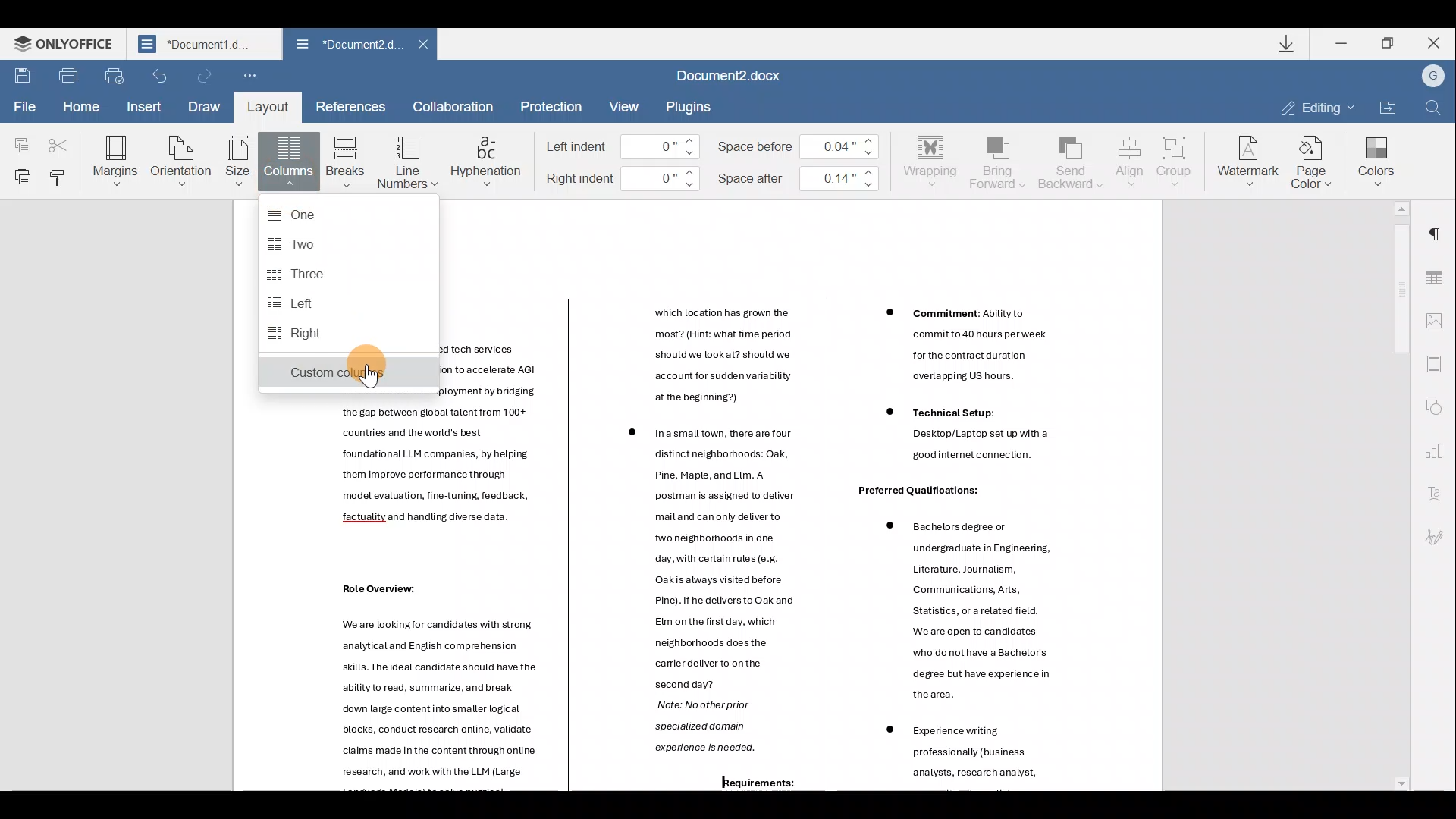 The image size is (1456, 819). I want to click on Align, so click(1130, 160).